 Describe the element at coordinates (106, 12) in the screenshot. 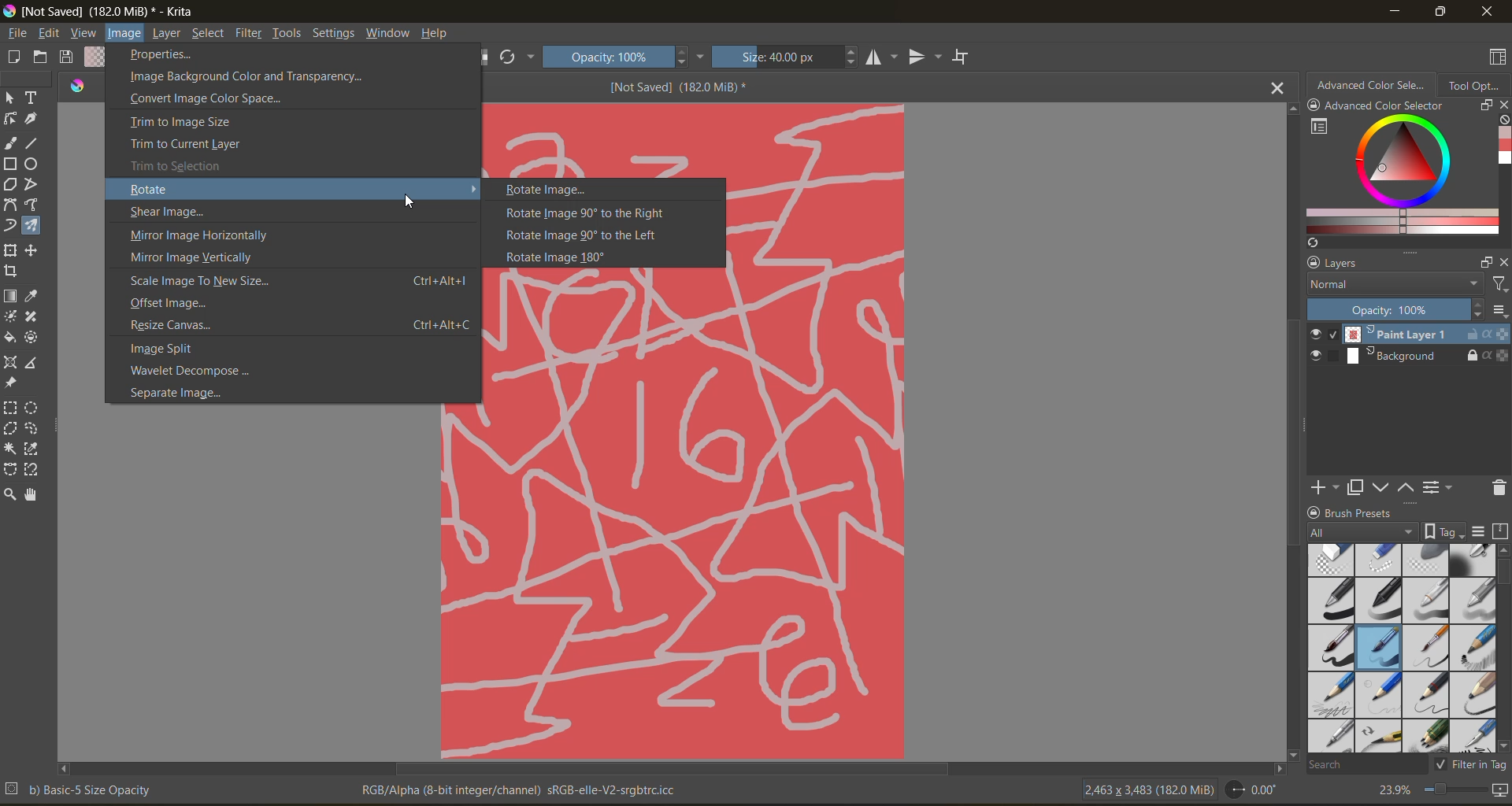

I see `app name and file name` at that location.